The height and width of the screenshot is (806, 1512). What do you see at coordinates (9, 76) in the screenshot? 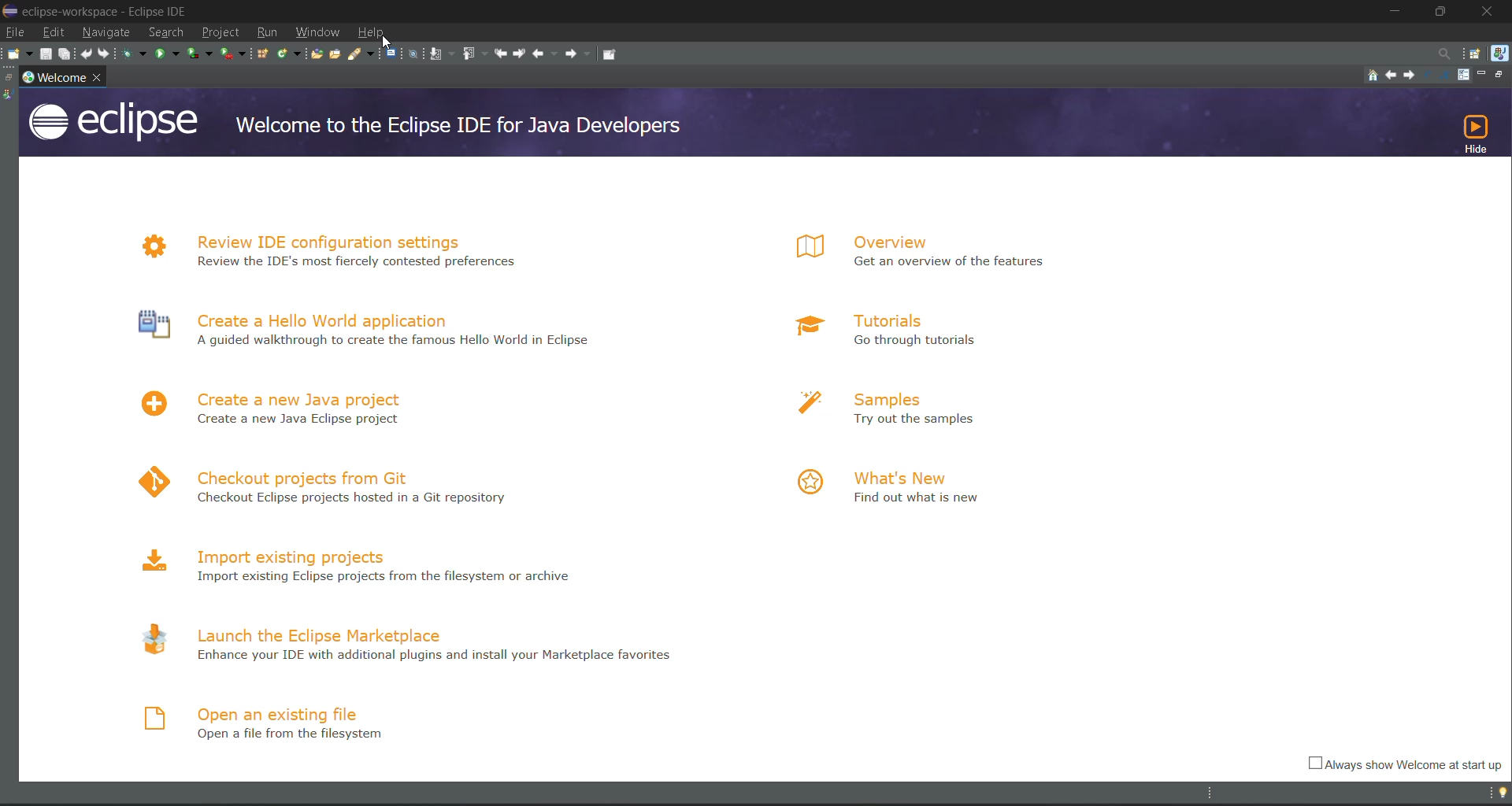
I see `restore` at bounding box center [9, 76].